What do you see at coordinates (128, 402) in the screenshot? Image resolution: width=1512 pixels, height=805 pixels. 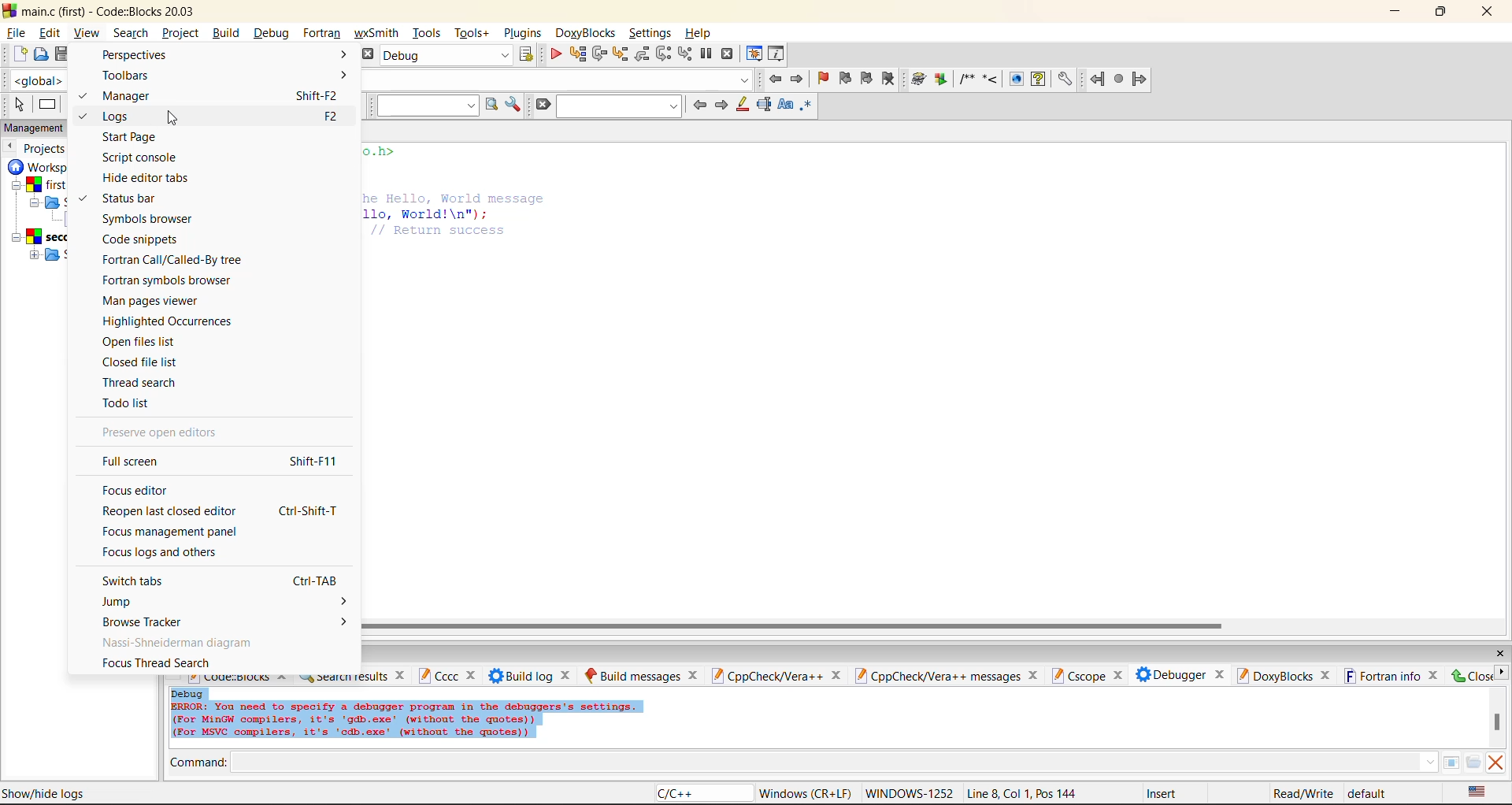 I see `todo list` at bounding box center [128, 402].